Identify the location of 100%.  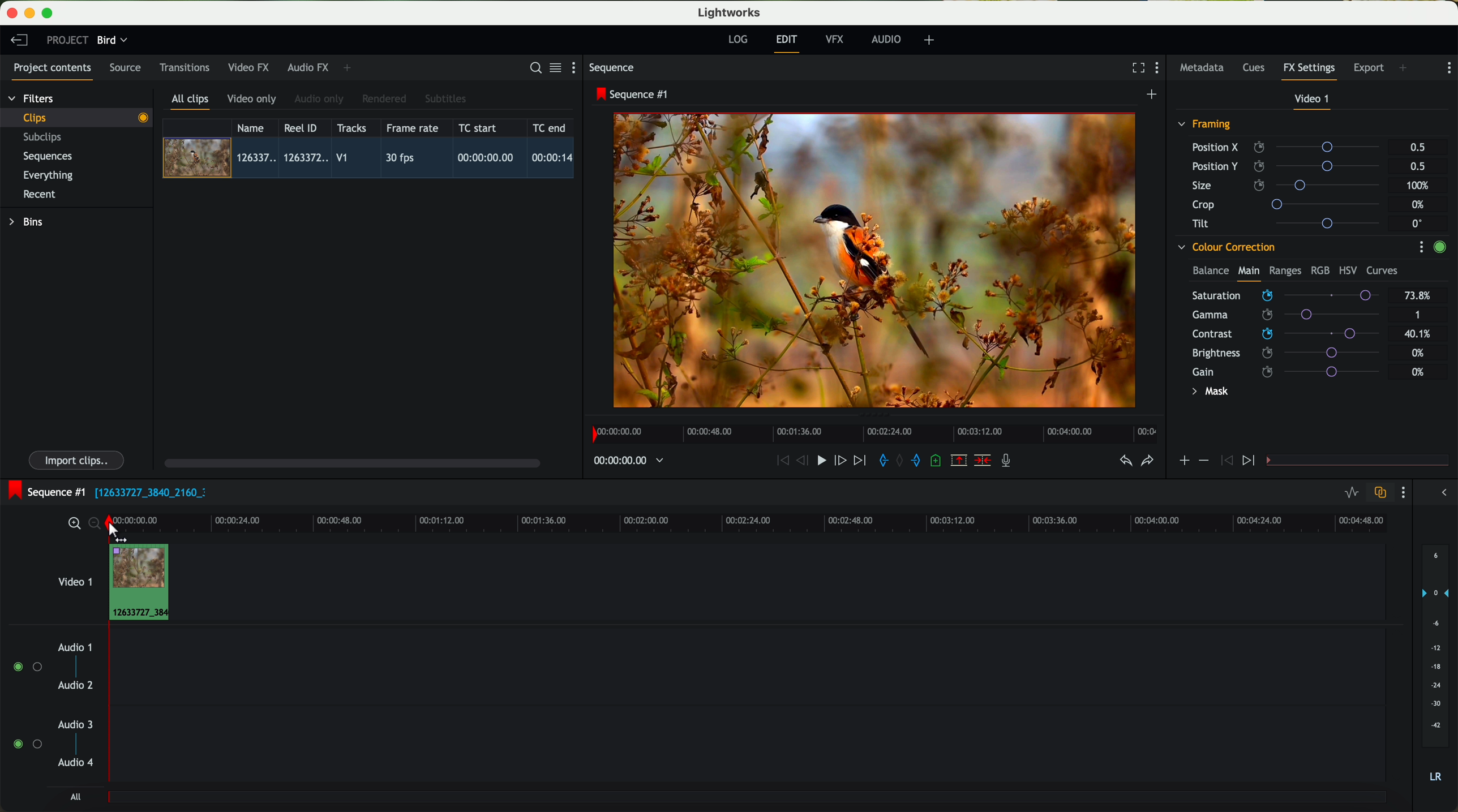
(1421, 186).